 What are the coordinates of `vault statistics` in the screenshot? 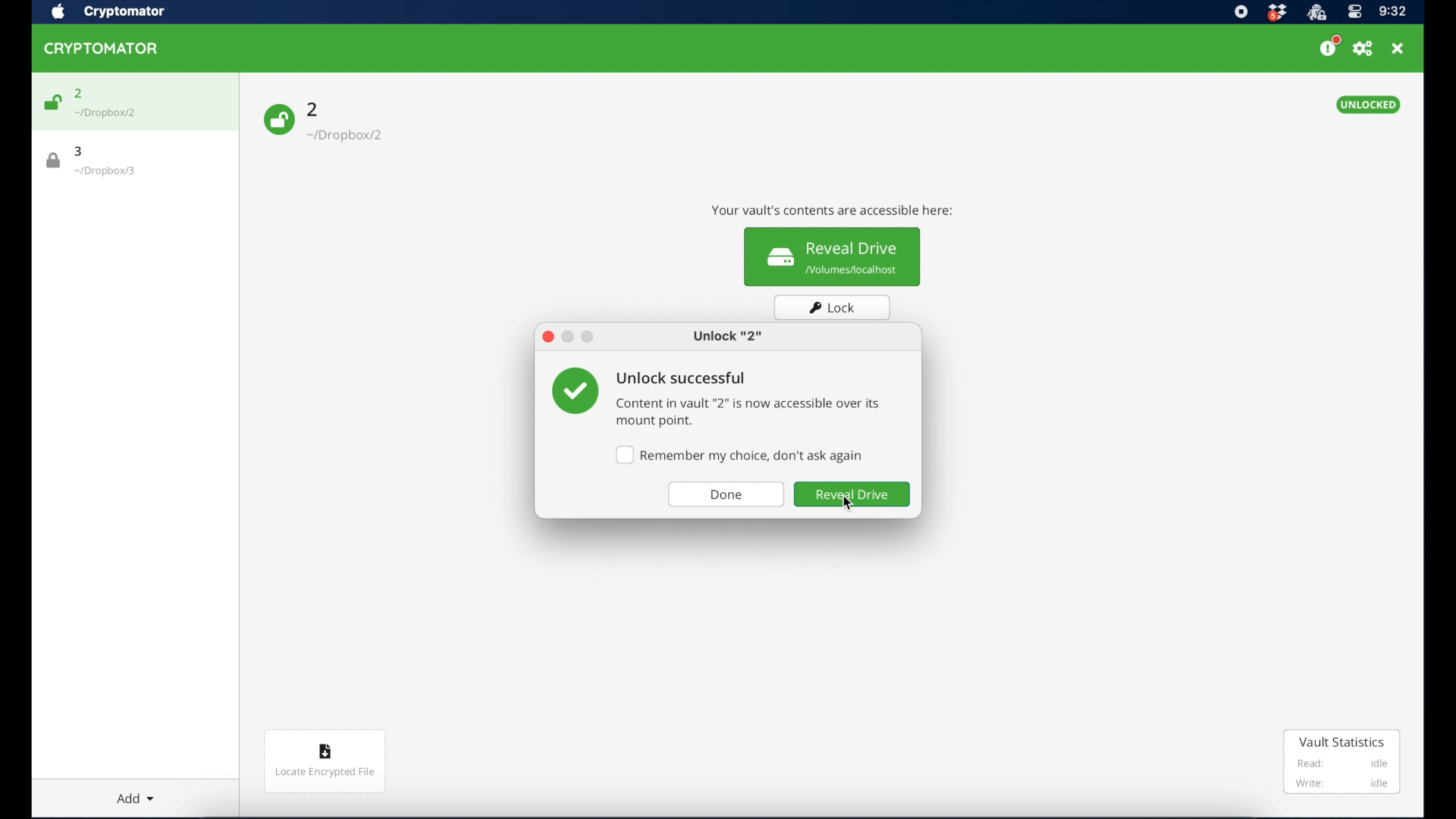 It's located at (1343, 763).